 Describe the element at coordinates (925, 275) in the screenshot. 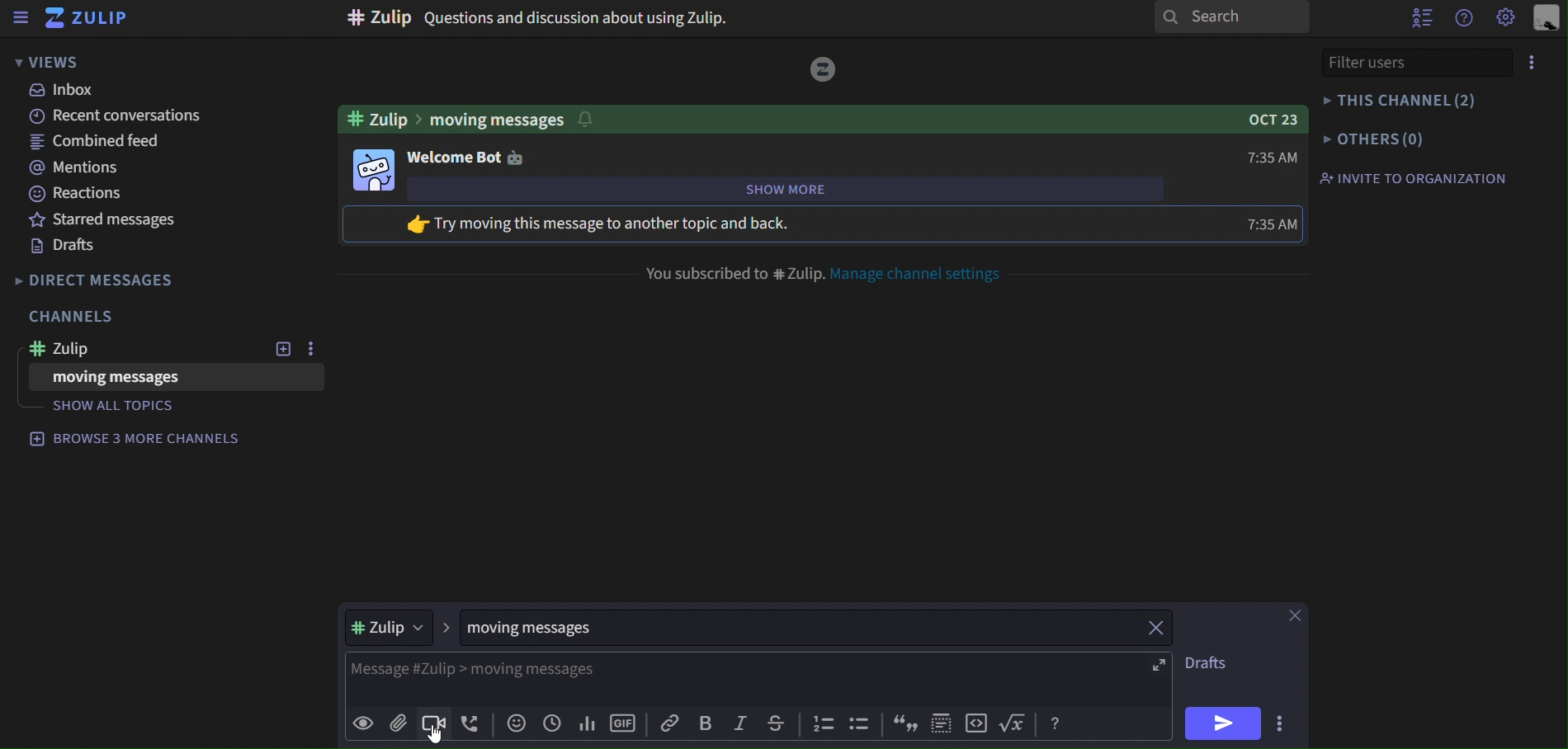

I see `manage channel settings` at that location.